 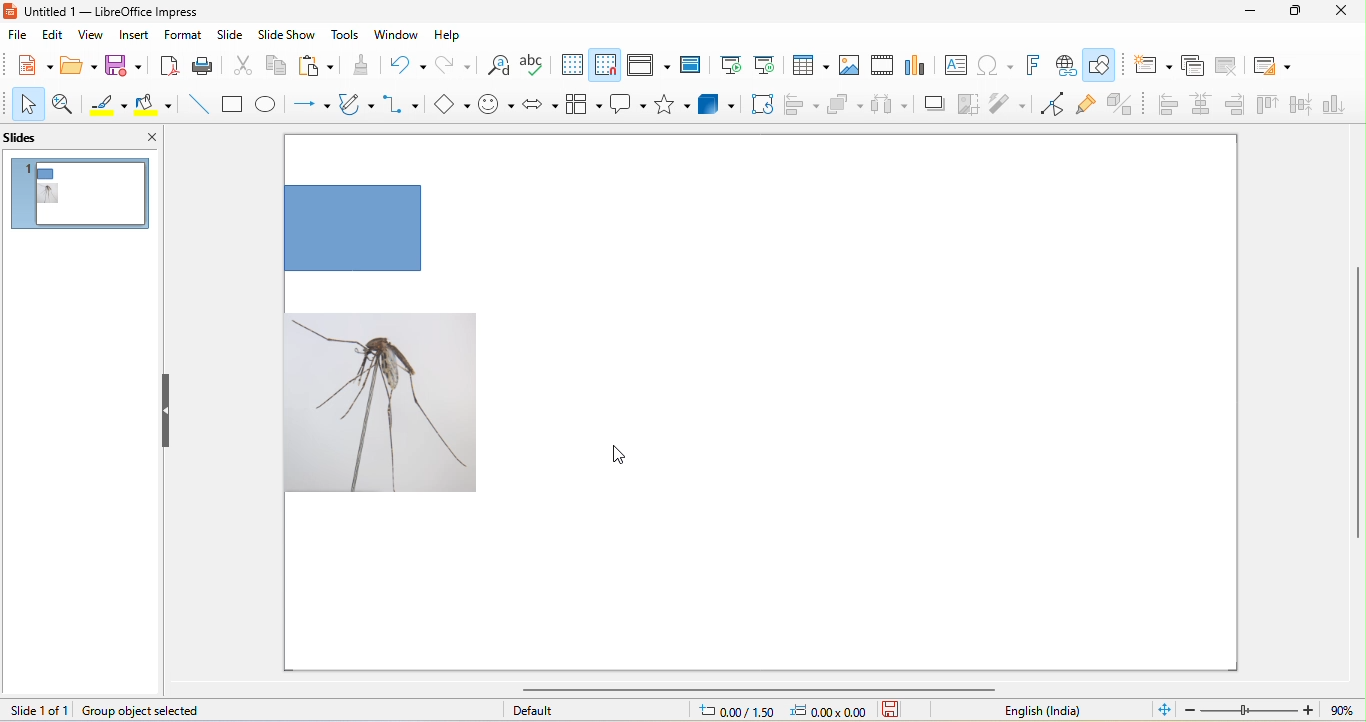 I want to click on connectors, so click(x=402, y=106).